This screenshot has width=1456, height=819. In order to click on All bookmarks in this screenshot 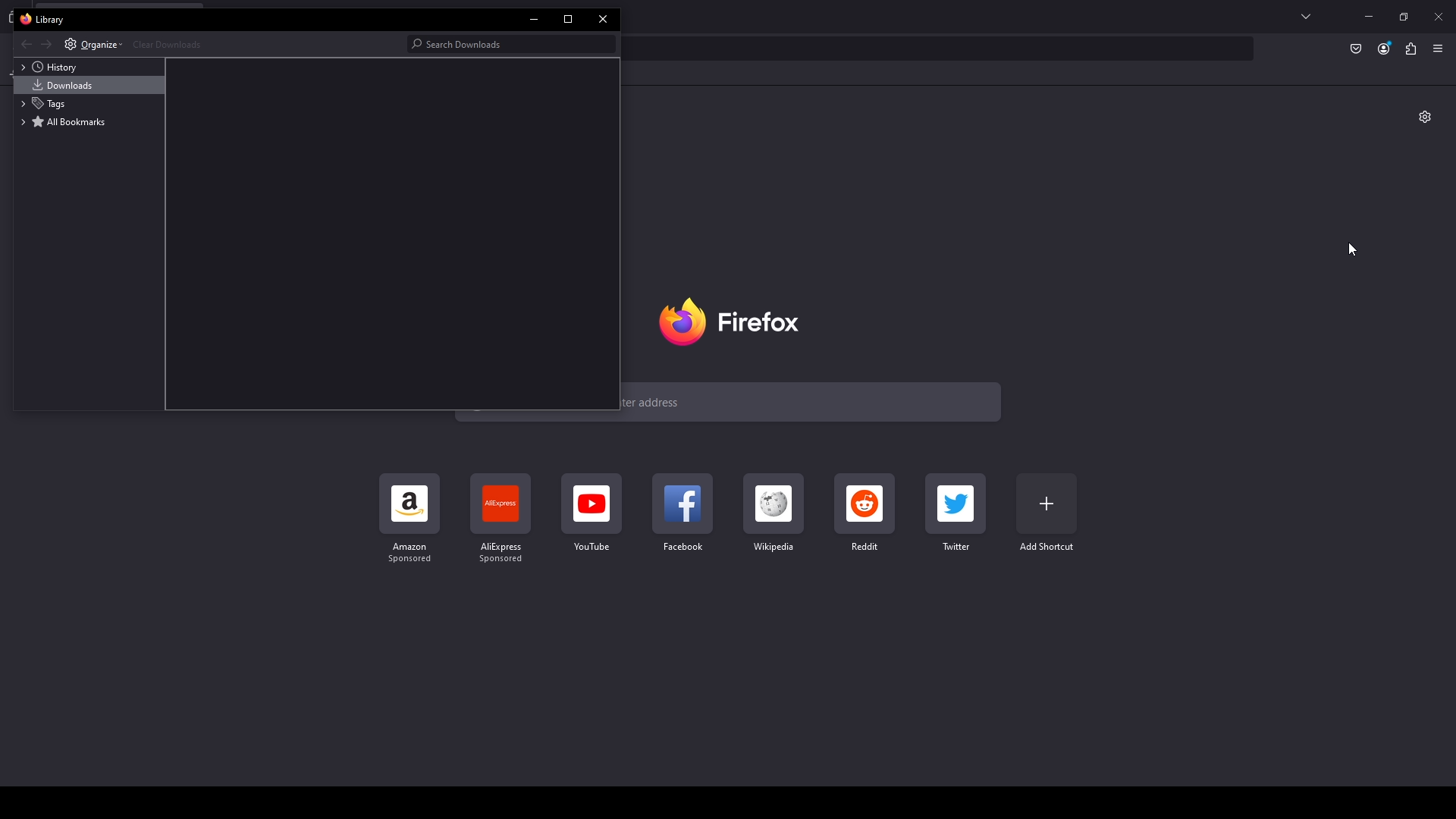, I will do `click(89, 122)`.